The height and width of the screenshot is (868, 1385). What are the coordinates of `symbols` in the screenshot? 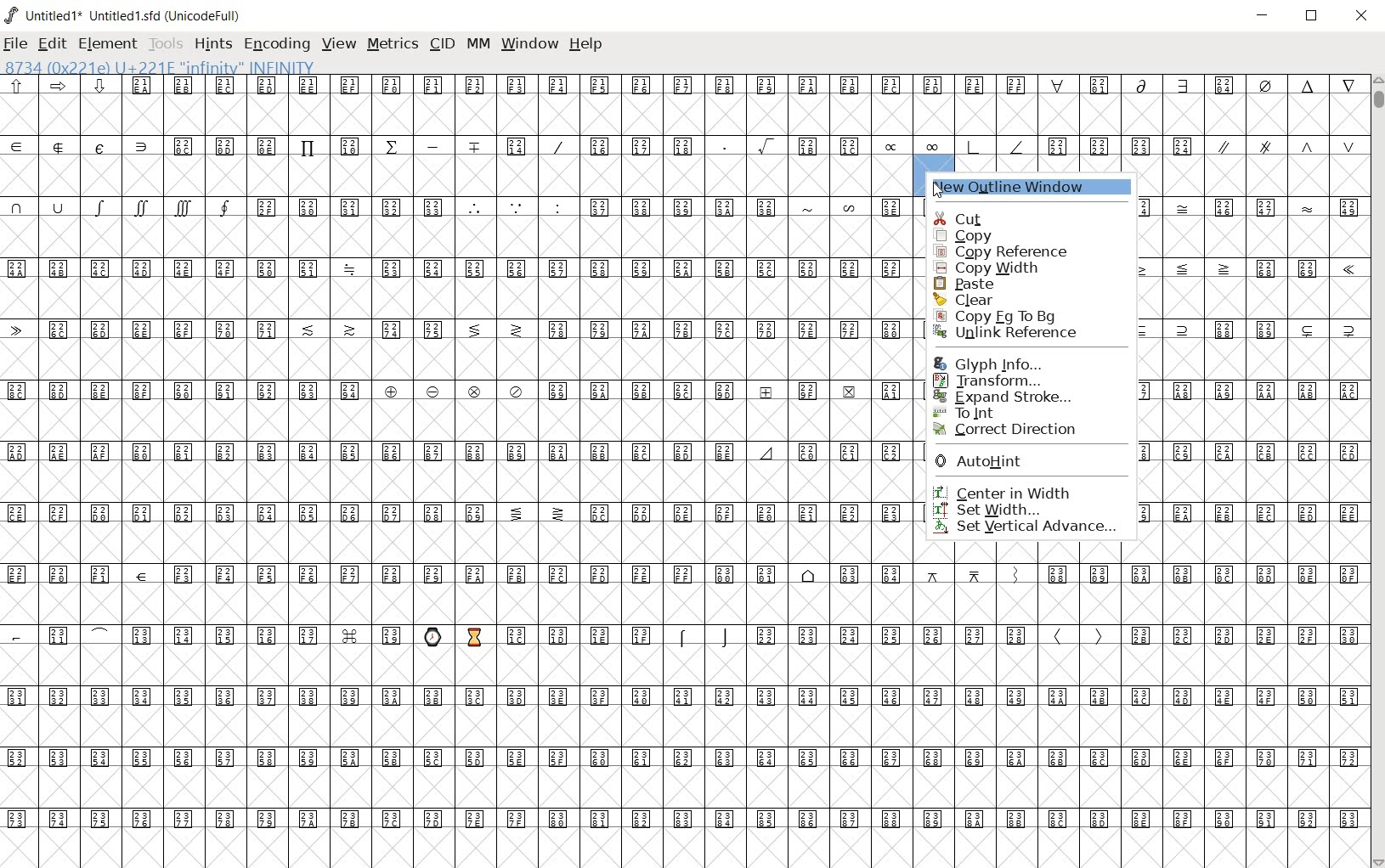 It's located at (124, 206).